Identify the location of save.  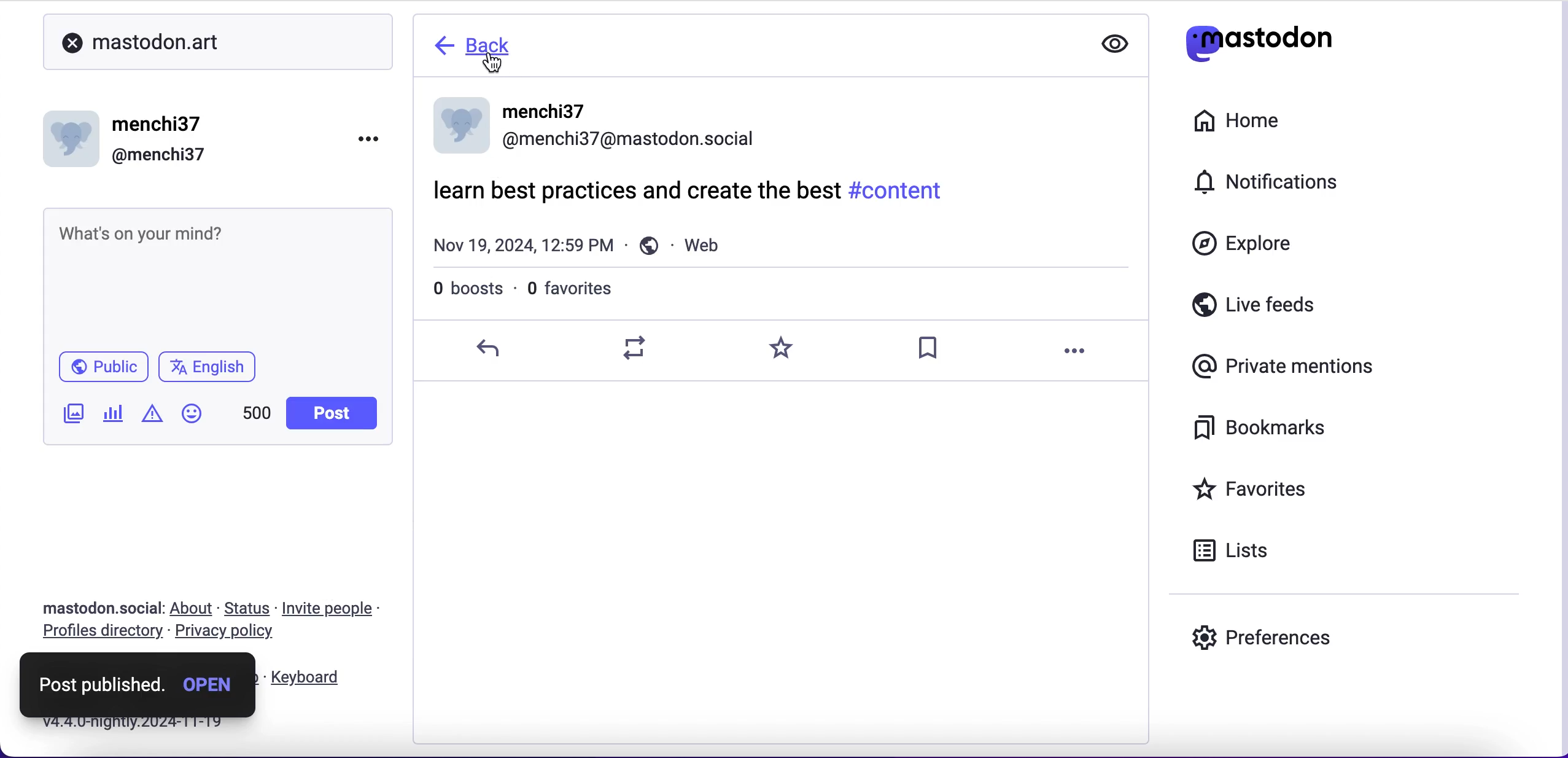
(932, 349).